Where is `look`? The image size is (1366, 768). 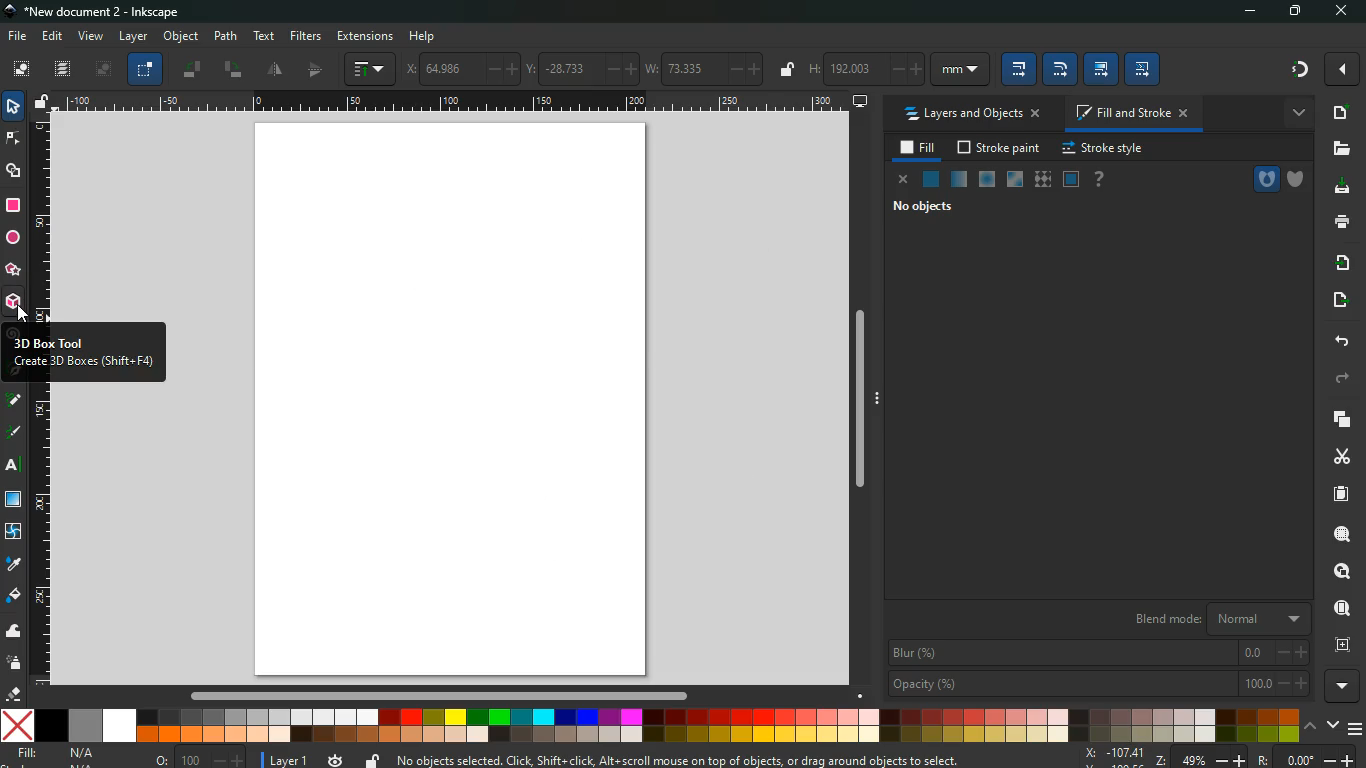
look is located at coordinates (1336, 572).